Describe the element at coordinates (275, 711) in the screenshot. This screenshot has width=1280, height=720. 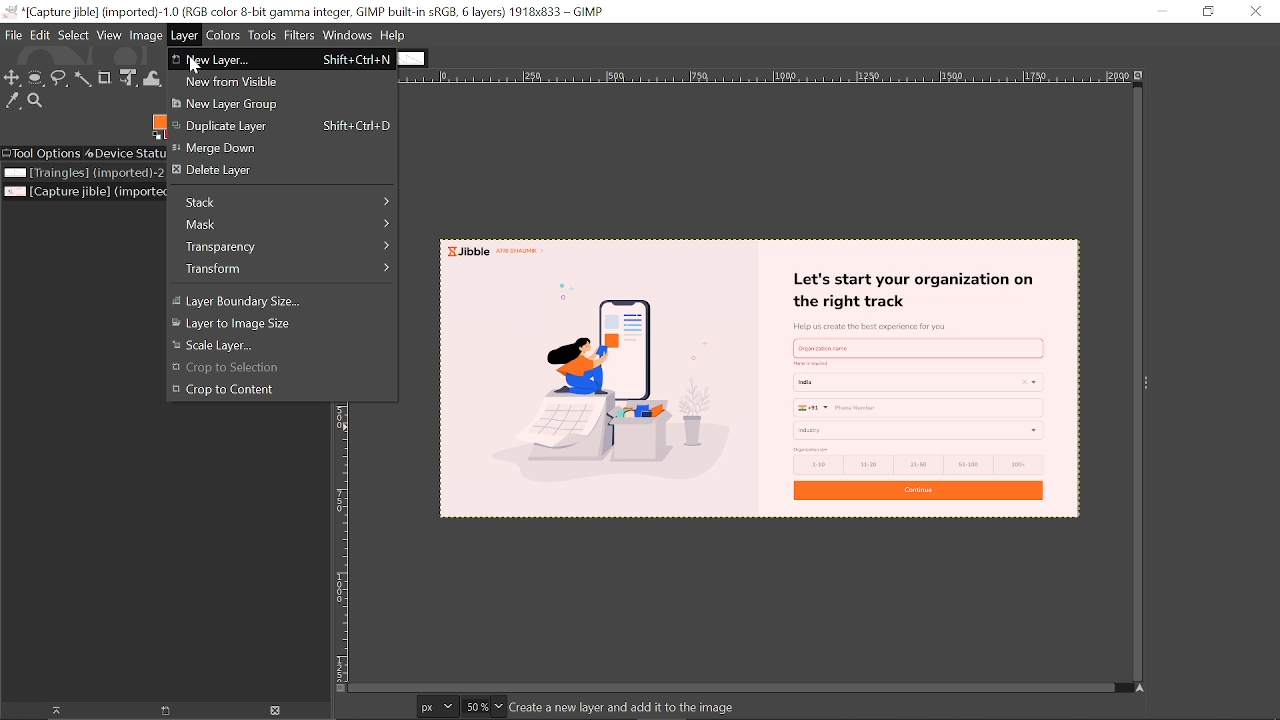
I see `Delete image` at that location.